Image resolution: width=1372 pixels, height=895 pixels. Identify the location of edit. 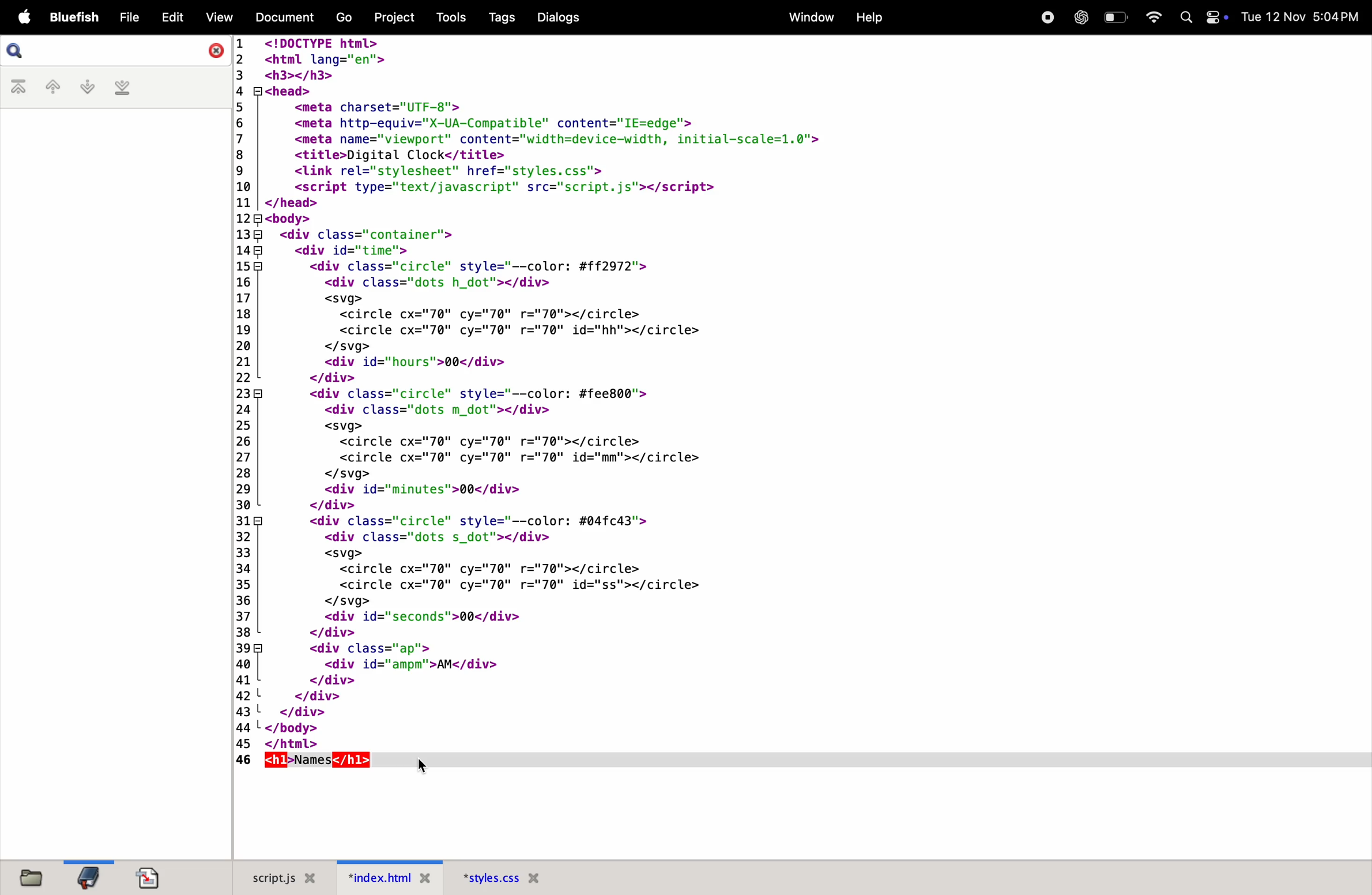
(170, 16).